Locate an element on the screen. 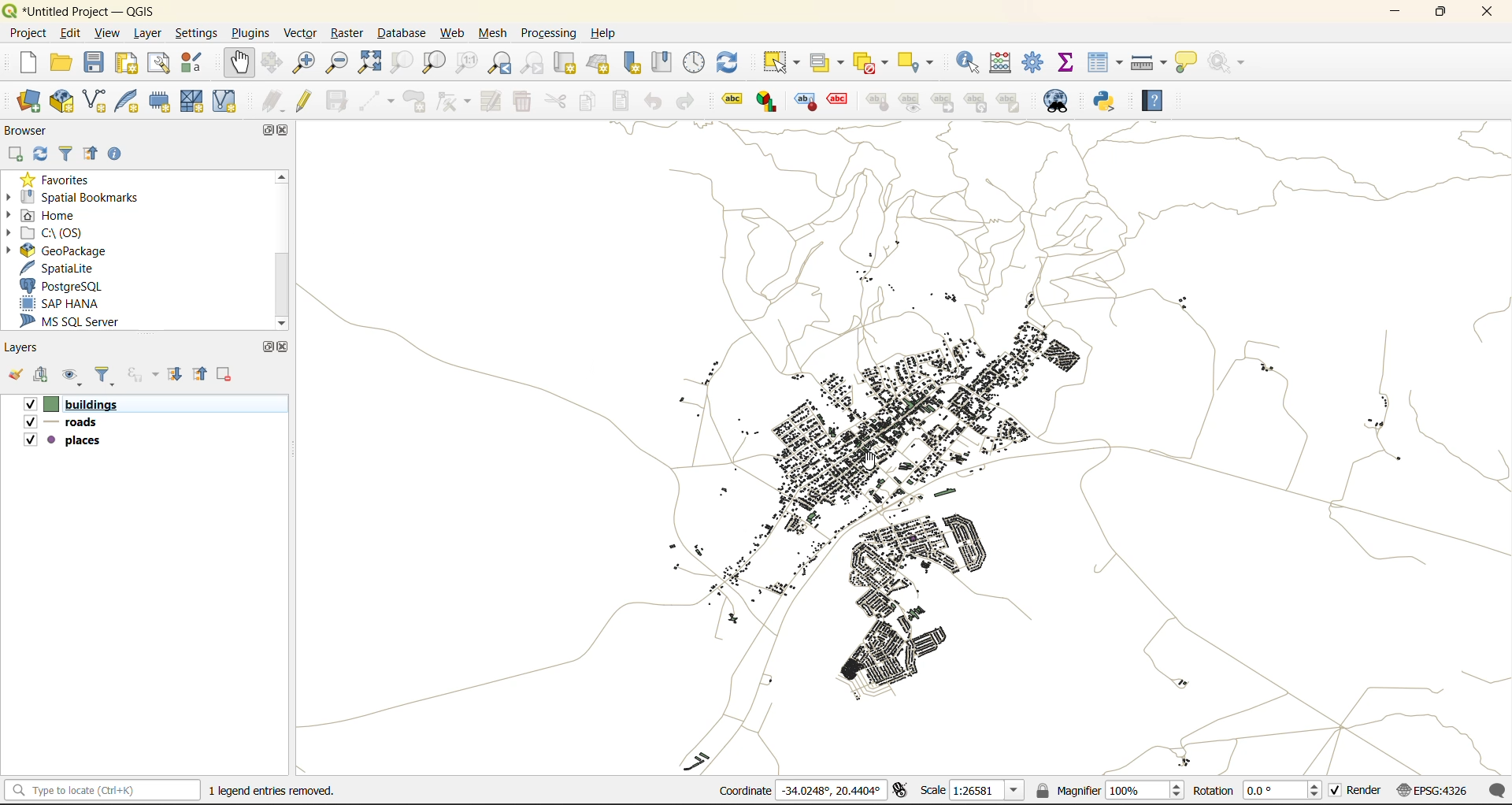  manage map is located at coordinates (76, 377).